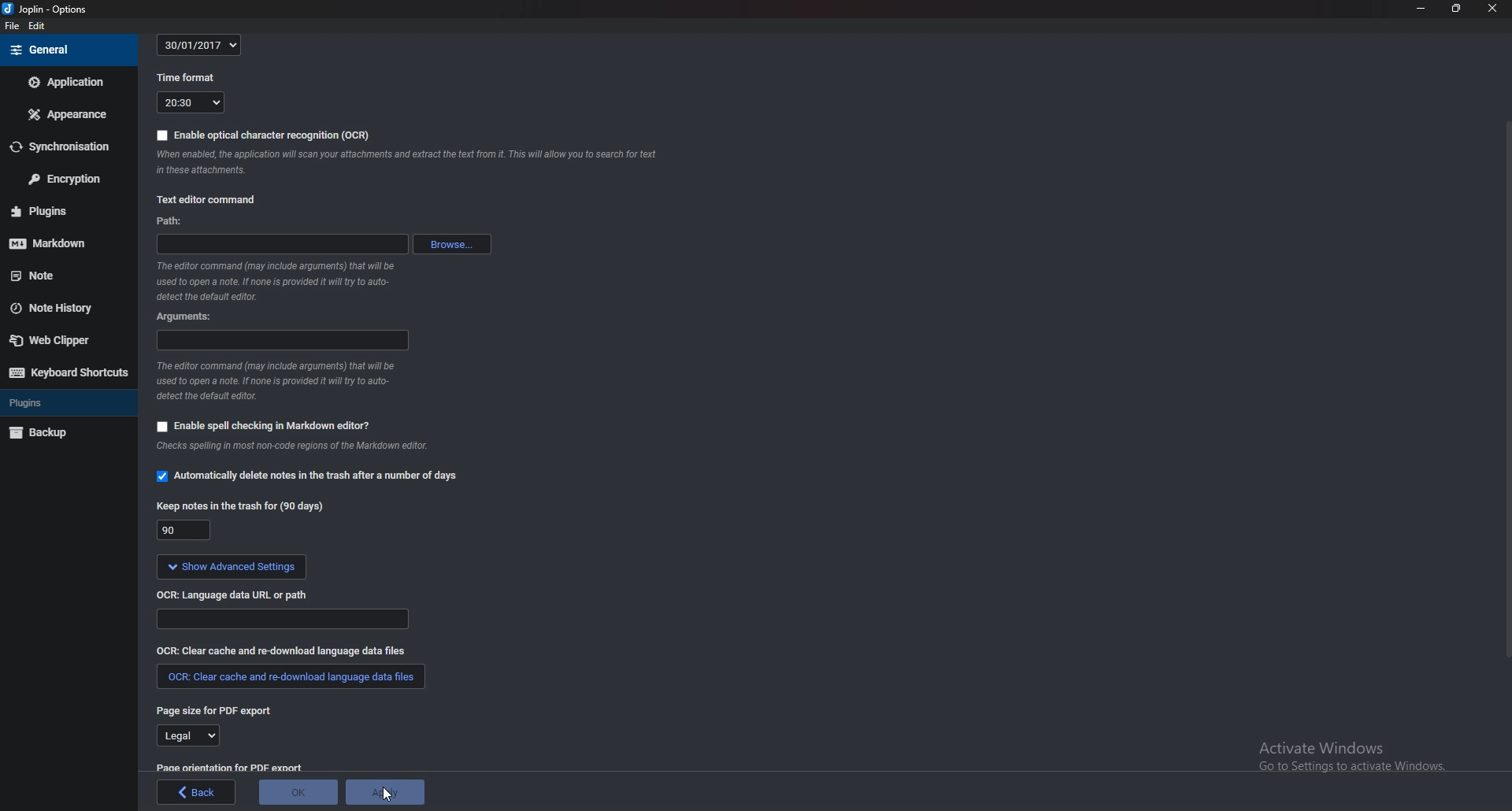  Describe the element at coordinates (282, 243) in the screenshot. I see `path` at that location.